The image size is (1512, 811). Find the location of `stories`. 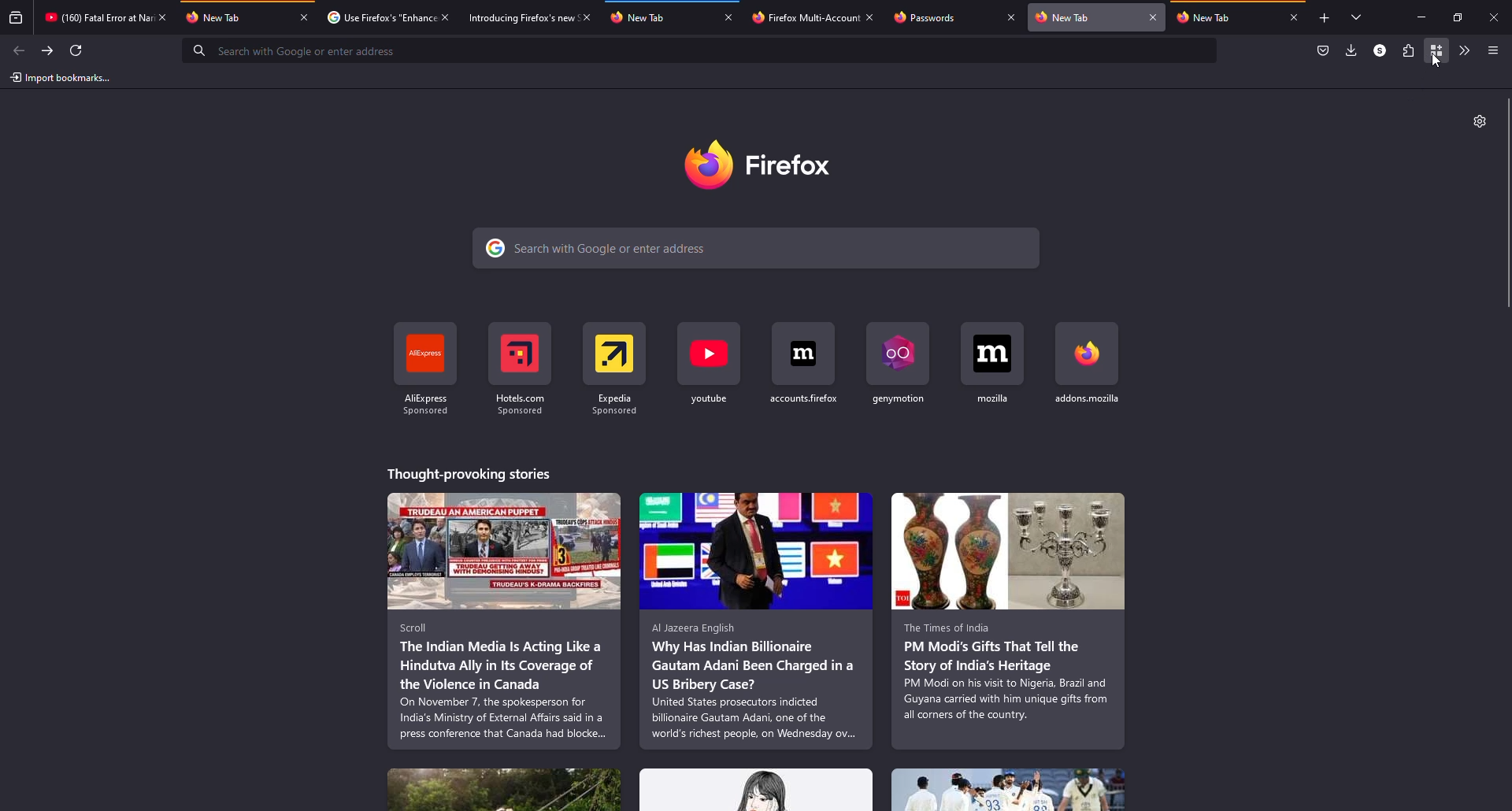

stories is located at coordinates (757, 790).